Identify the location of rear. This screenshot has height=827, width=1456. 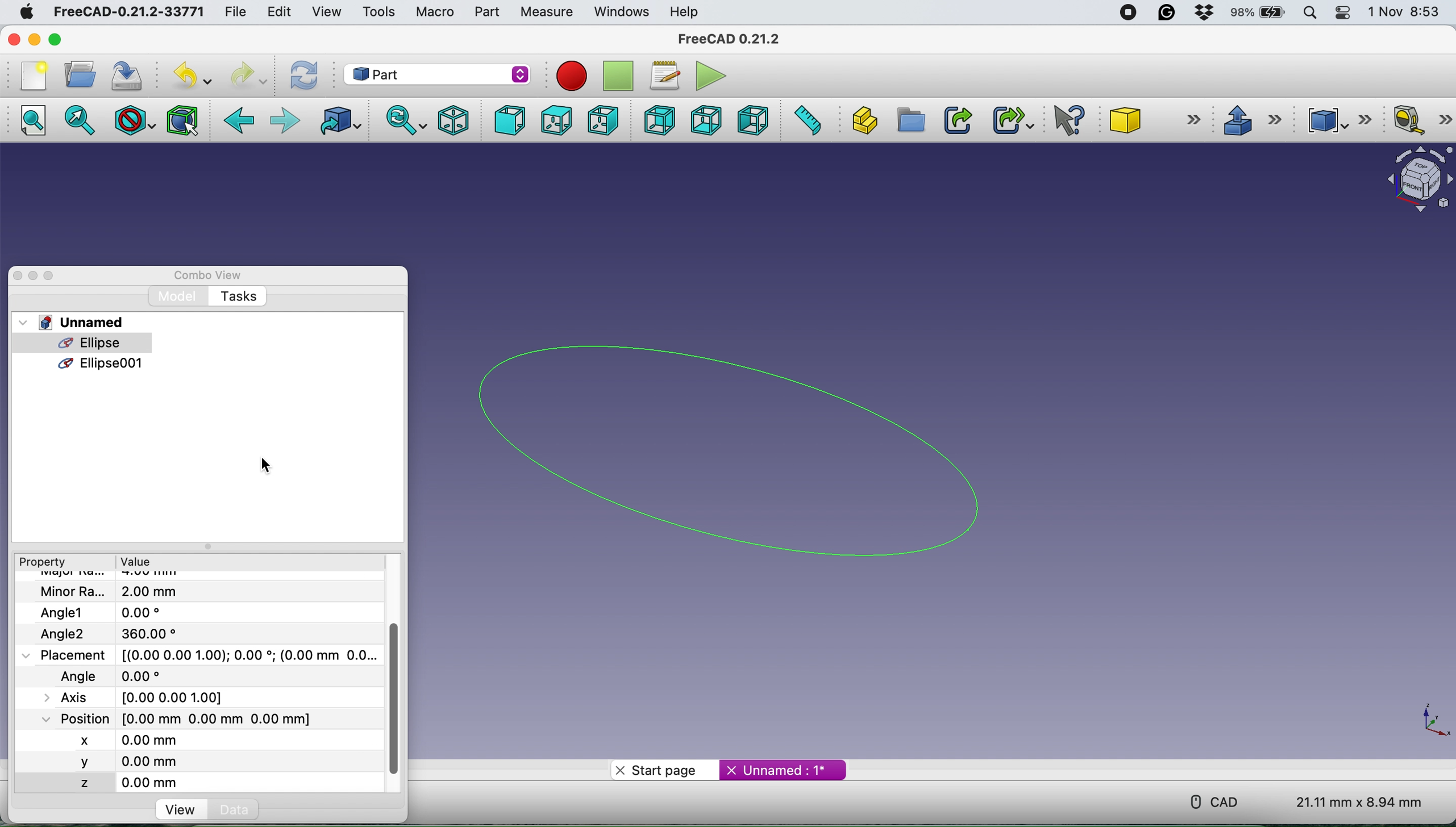
(661, 119).